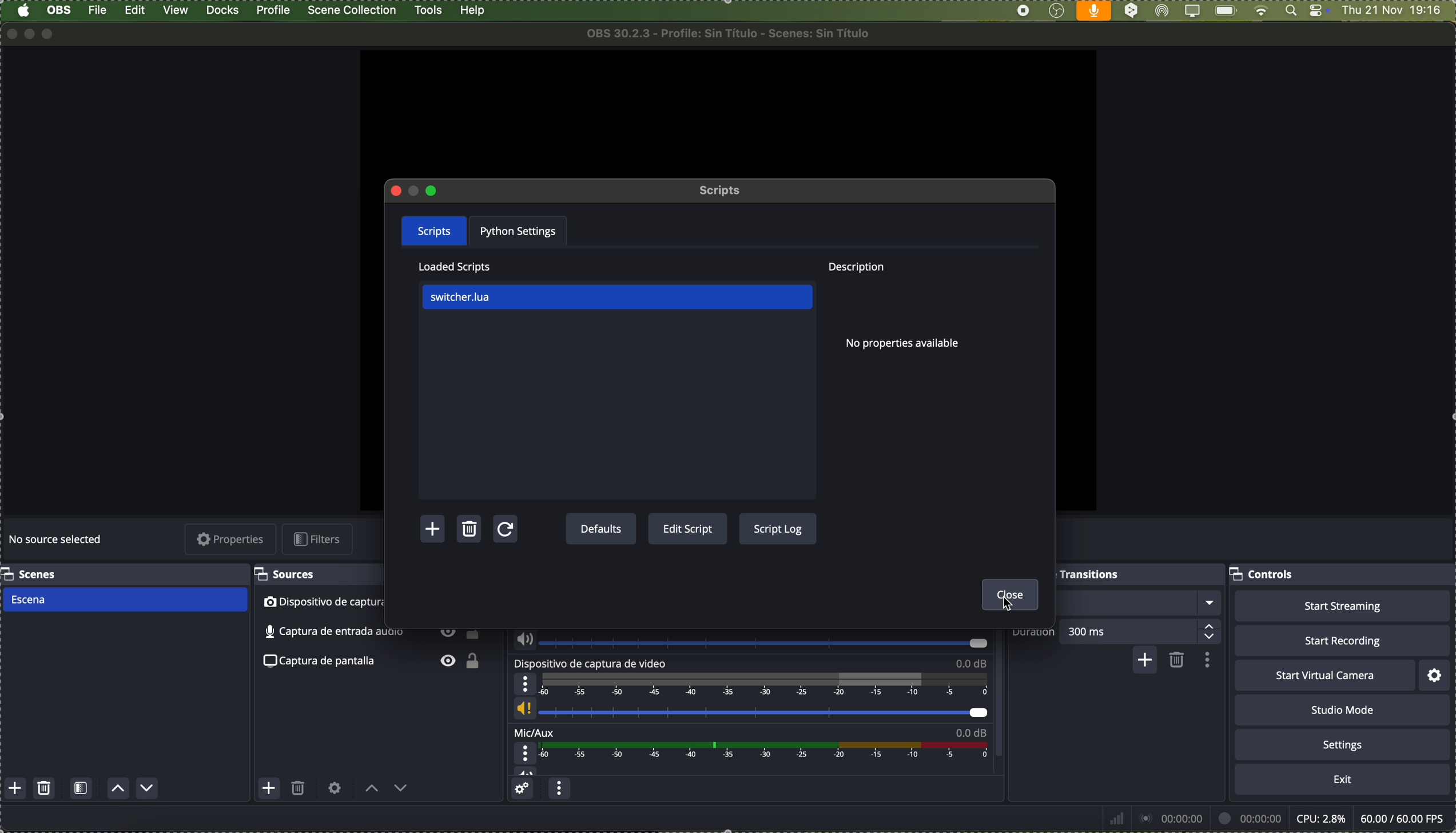 The width and height of the screenshot is (1456, 833). I want to click on minimize program, so click(30, 33).